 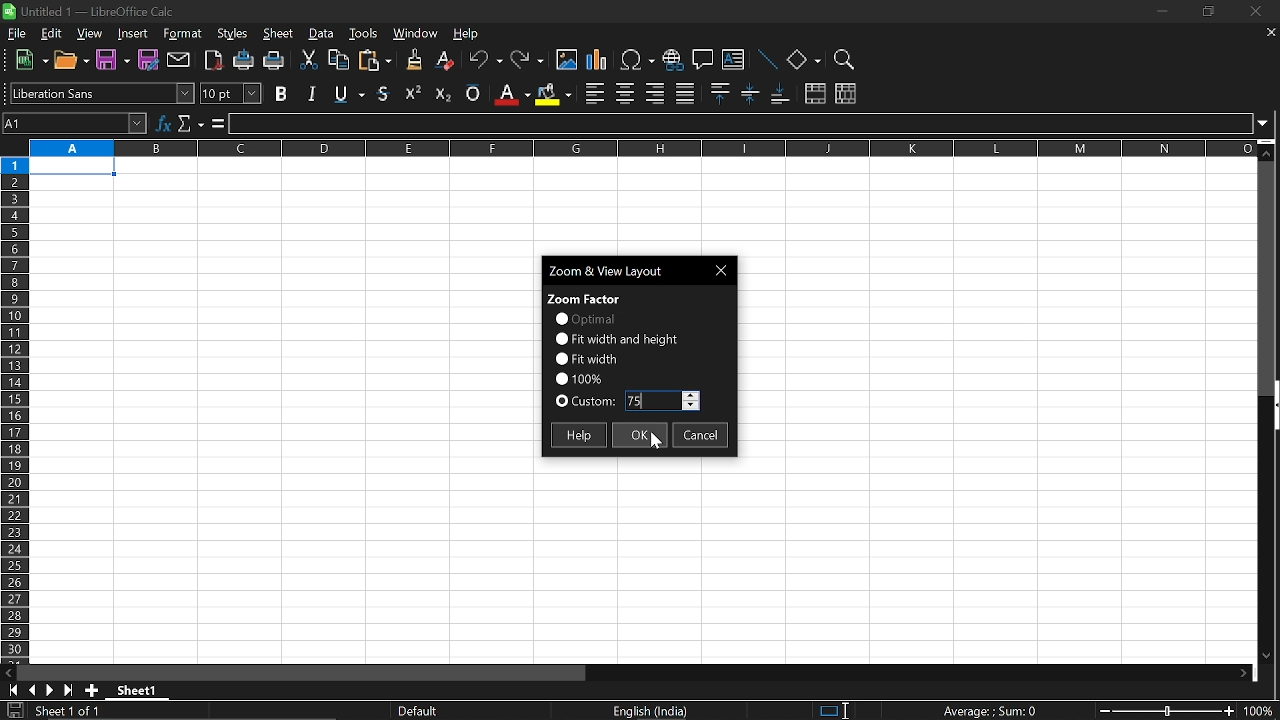 What do you see at coordinates (750, 93) in the screenshot?
I see `center vertically` at bounding box center [750, 93].